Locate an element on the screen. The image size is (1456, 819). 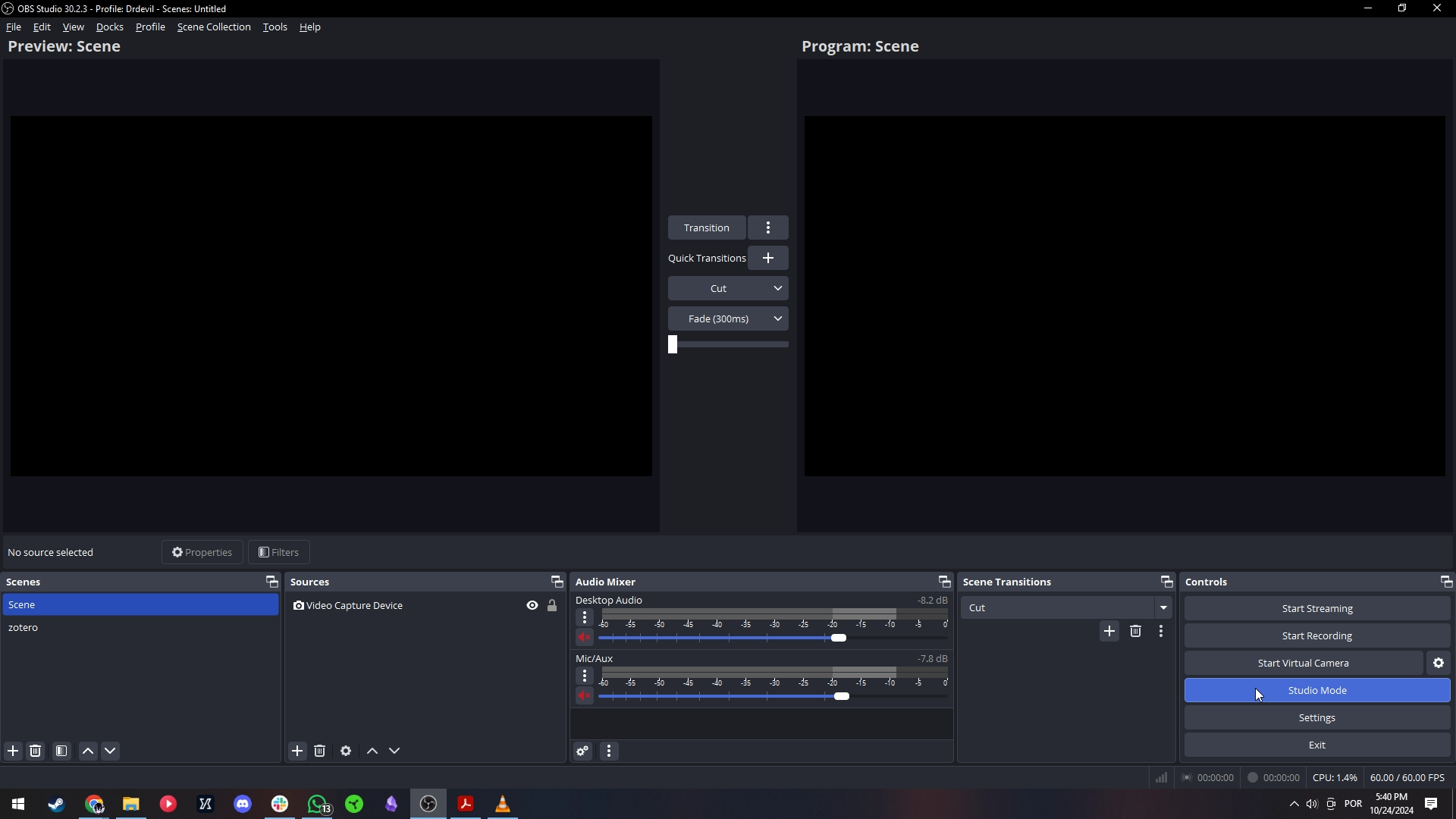
Scene collection is located at coordinates (215, 27).